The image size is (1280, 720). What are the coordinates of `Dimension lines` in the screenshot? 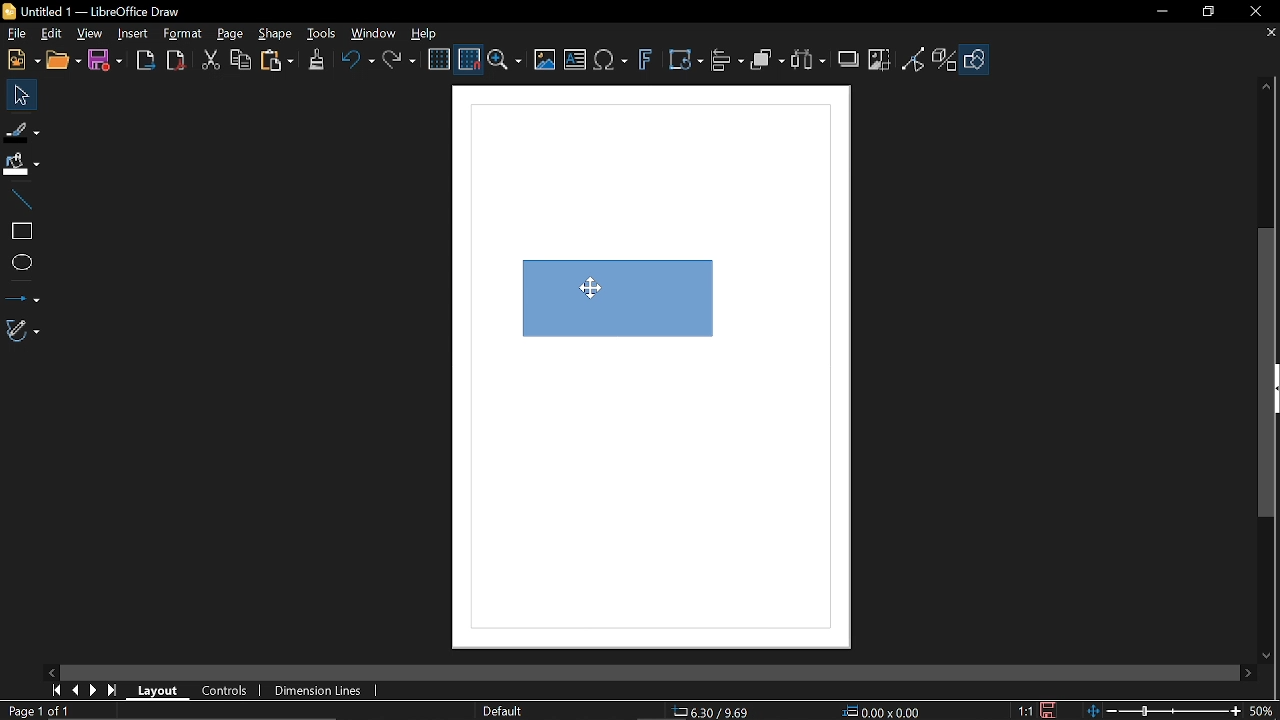 It's located at (322, 692).